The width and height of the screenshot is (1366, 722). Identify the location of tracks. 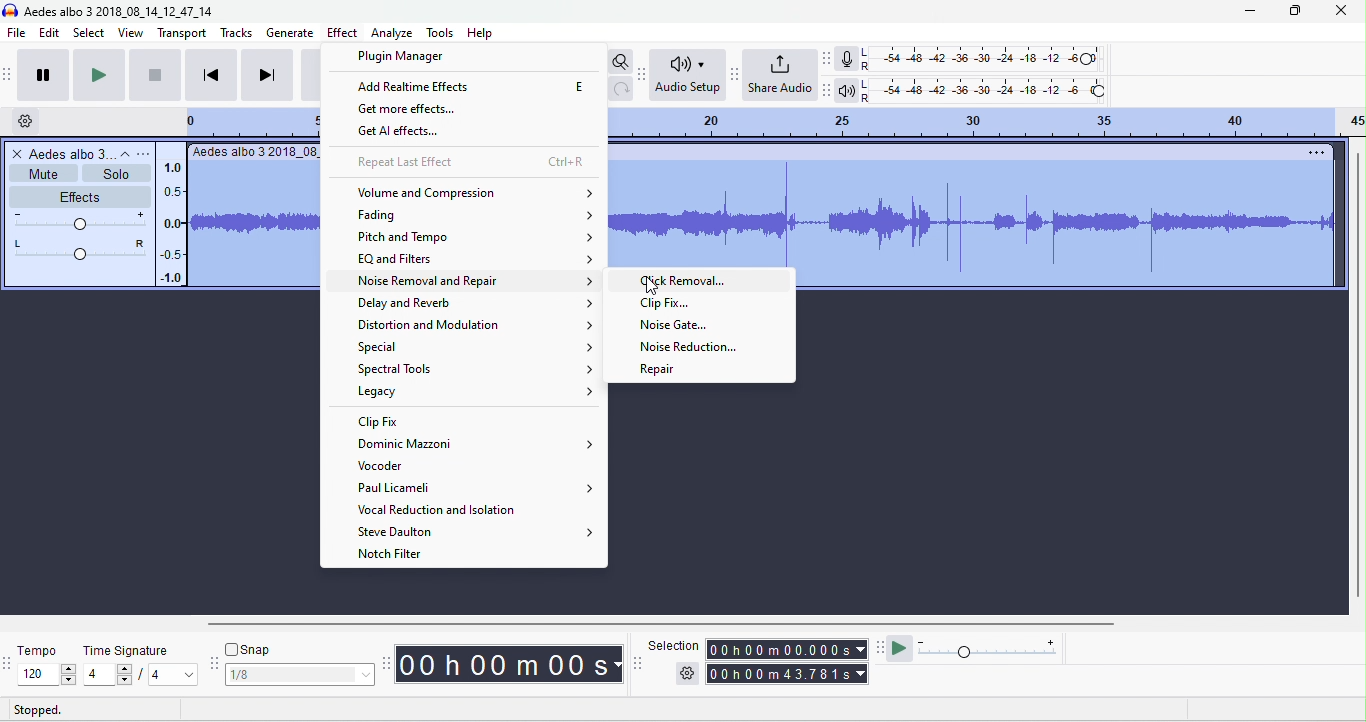
(236, 34).